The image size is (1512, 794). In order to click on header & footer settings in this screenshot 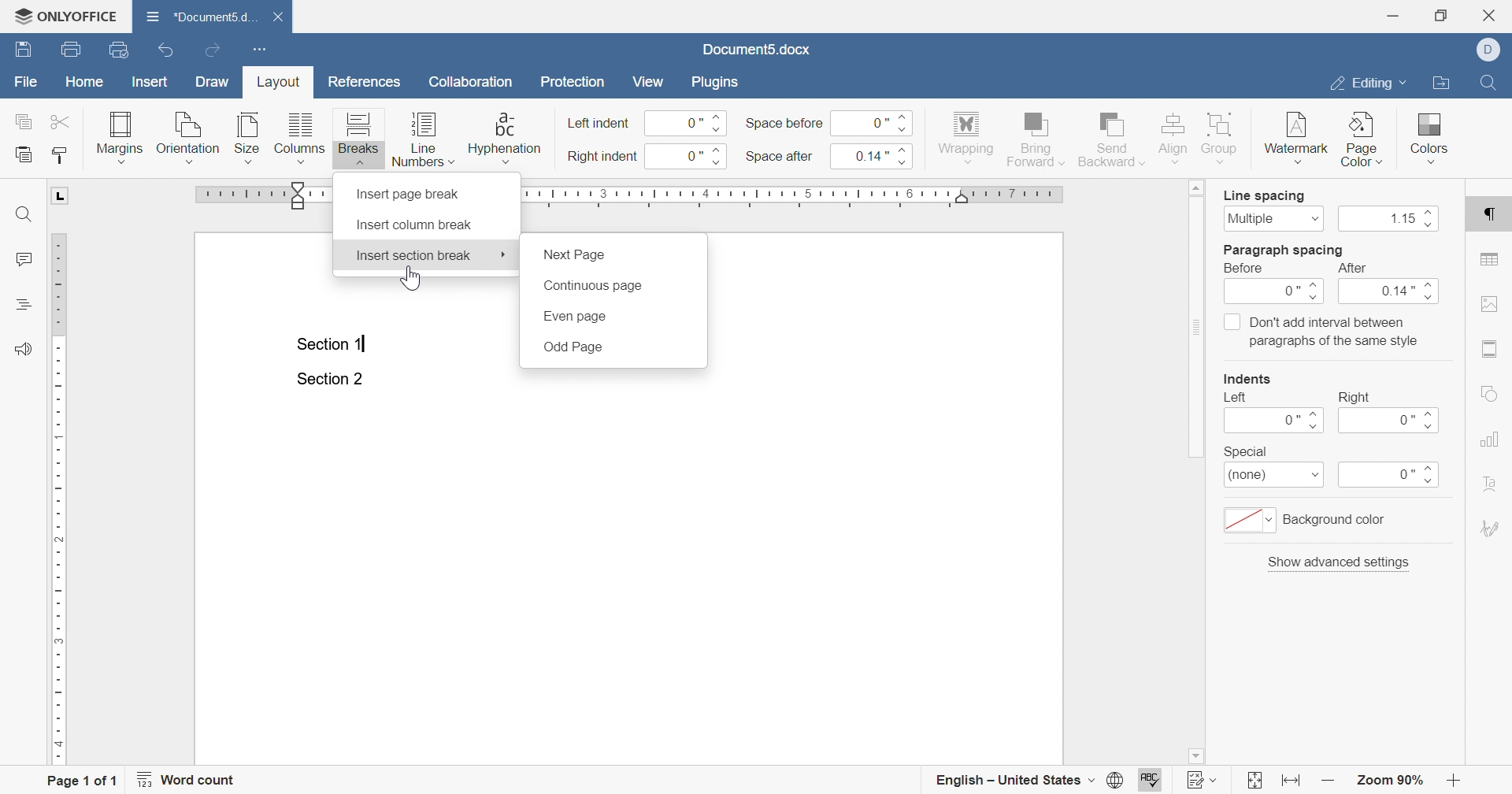, I will do `click(1492, 350)`.